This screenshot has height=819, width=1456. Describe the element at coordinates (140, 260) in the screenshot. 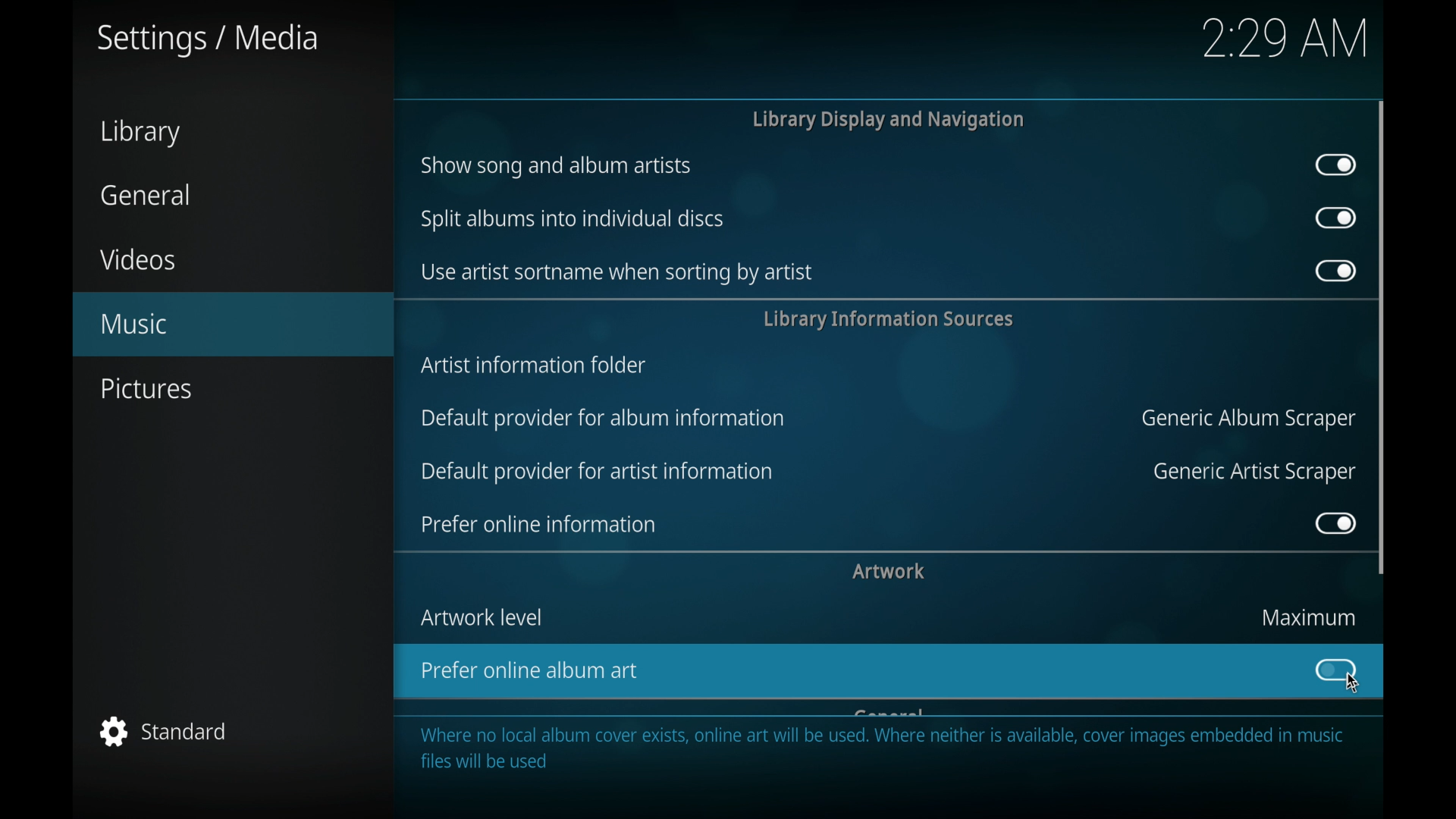

I see `videos` at that location.